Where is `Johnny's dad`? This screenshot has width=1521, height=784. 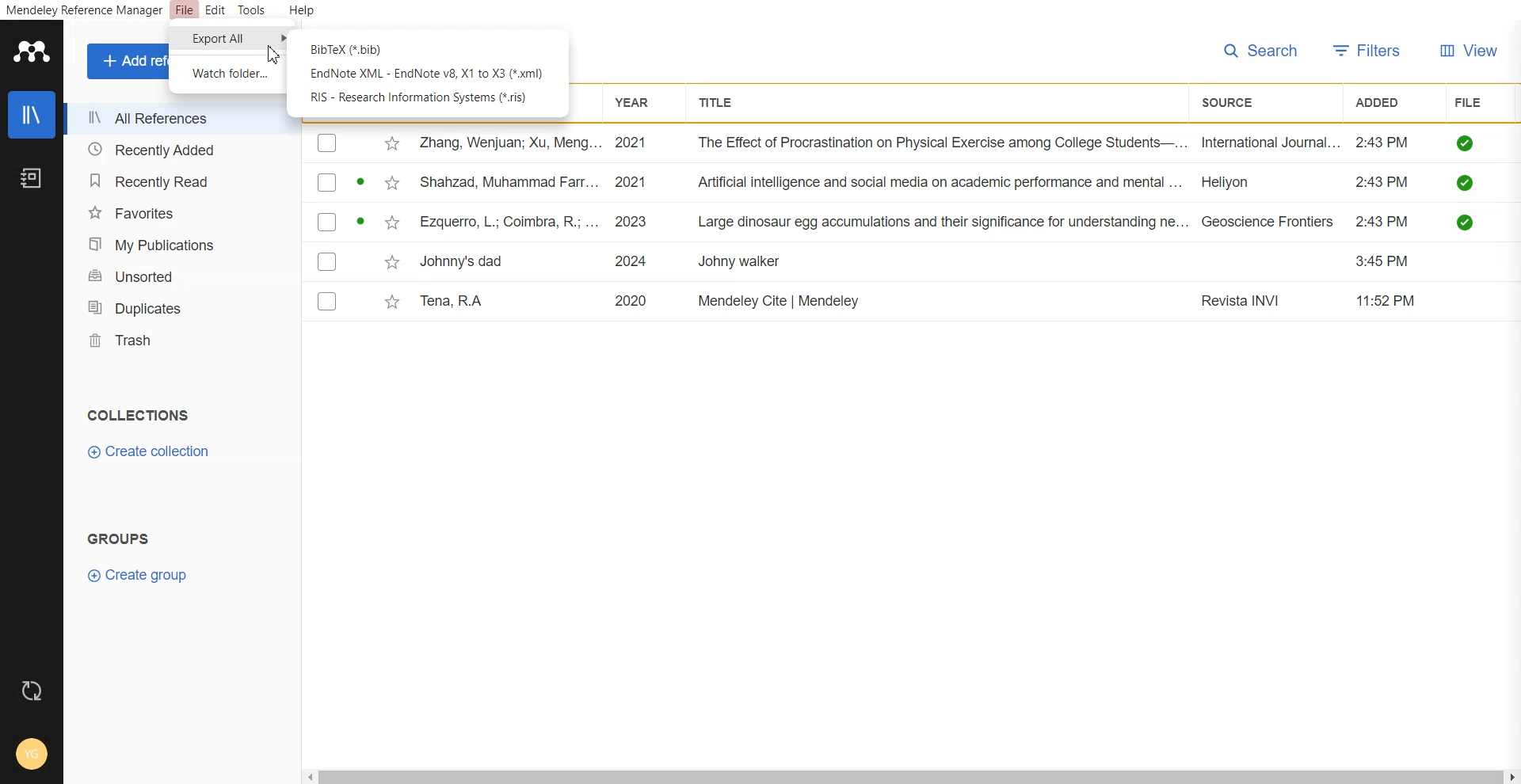
Johnny's dad is located at coordinates (465, 259).